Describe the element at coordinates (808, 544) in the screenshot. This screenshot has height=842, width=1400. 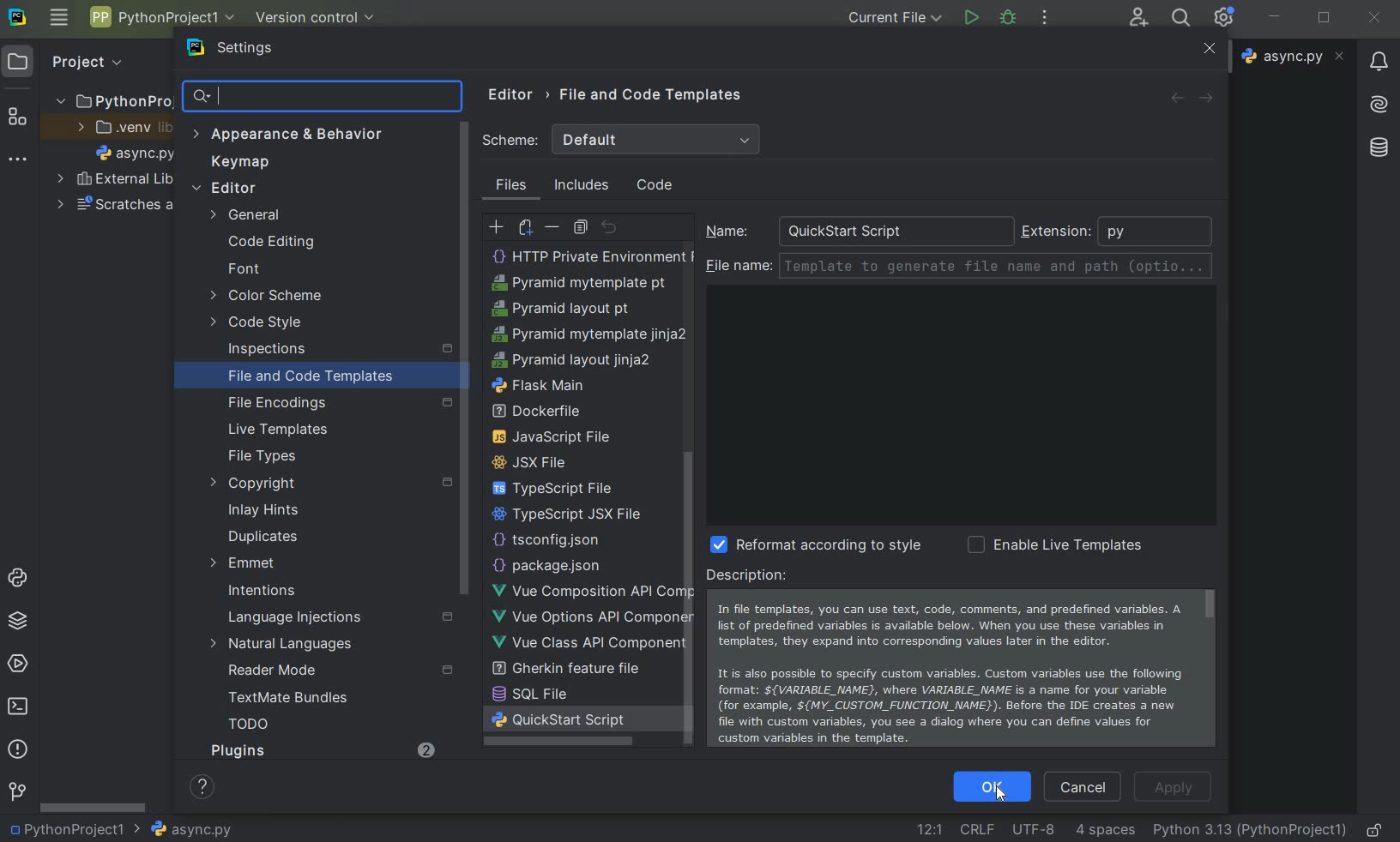
I see `reformat according to style` at that location.